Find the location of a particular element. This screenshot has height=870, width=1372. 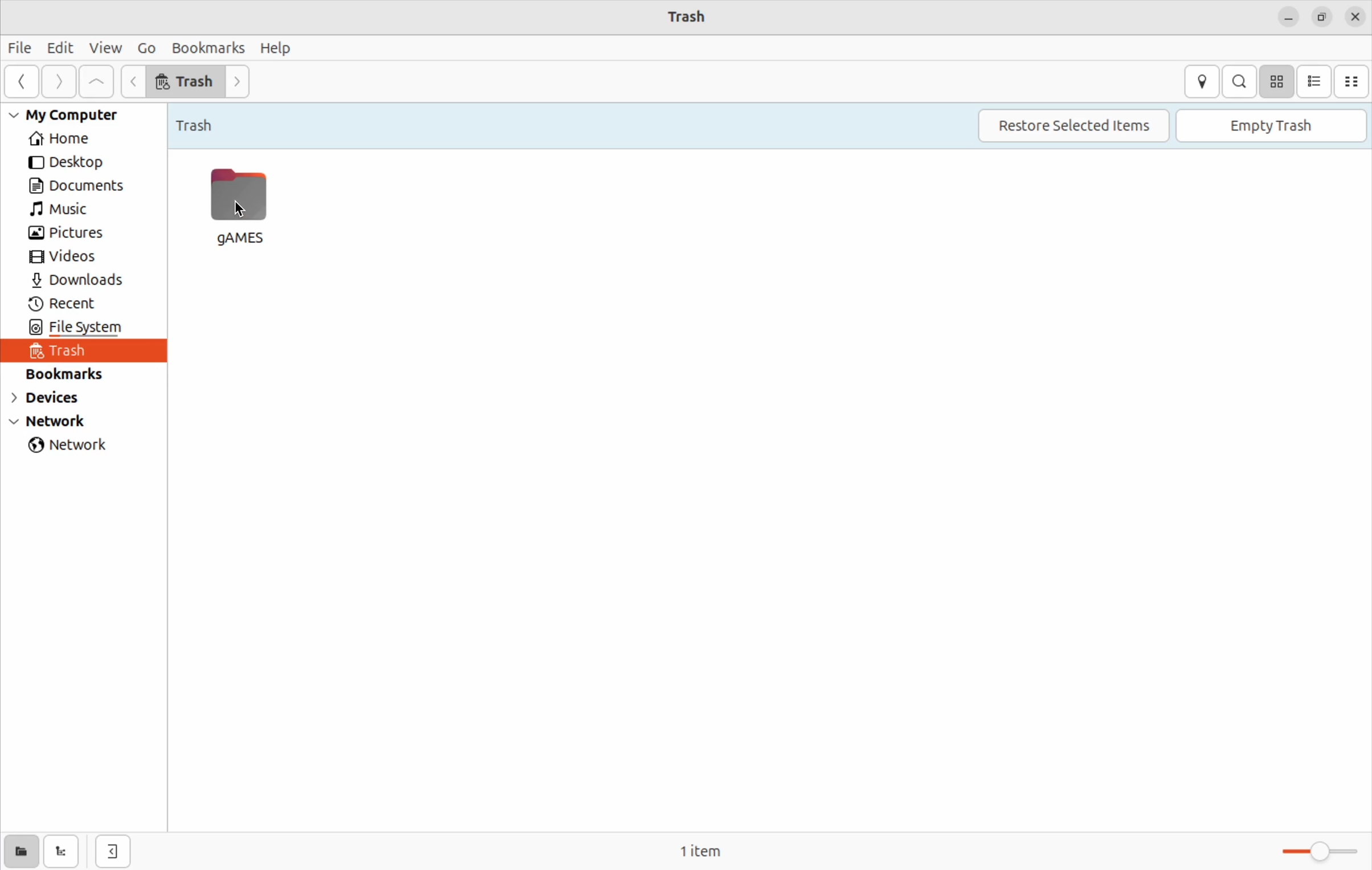

compact view is located at coordinates (1353, 81).